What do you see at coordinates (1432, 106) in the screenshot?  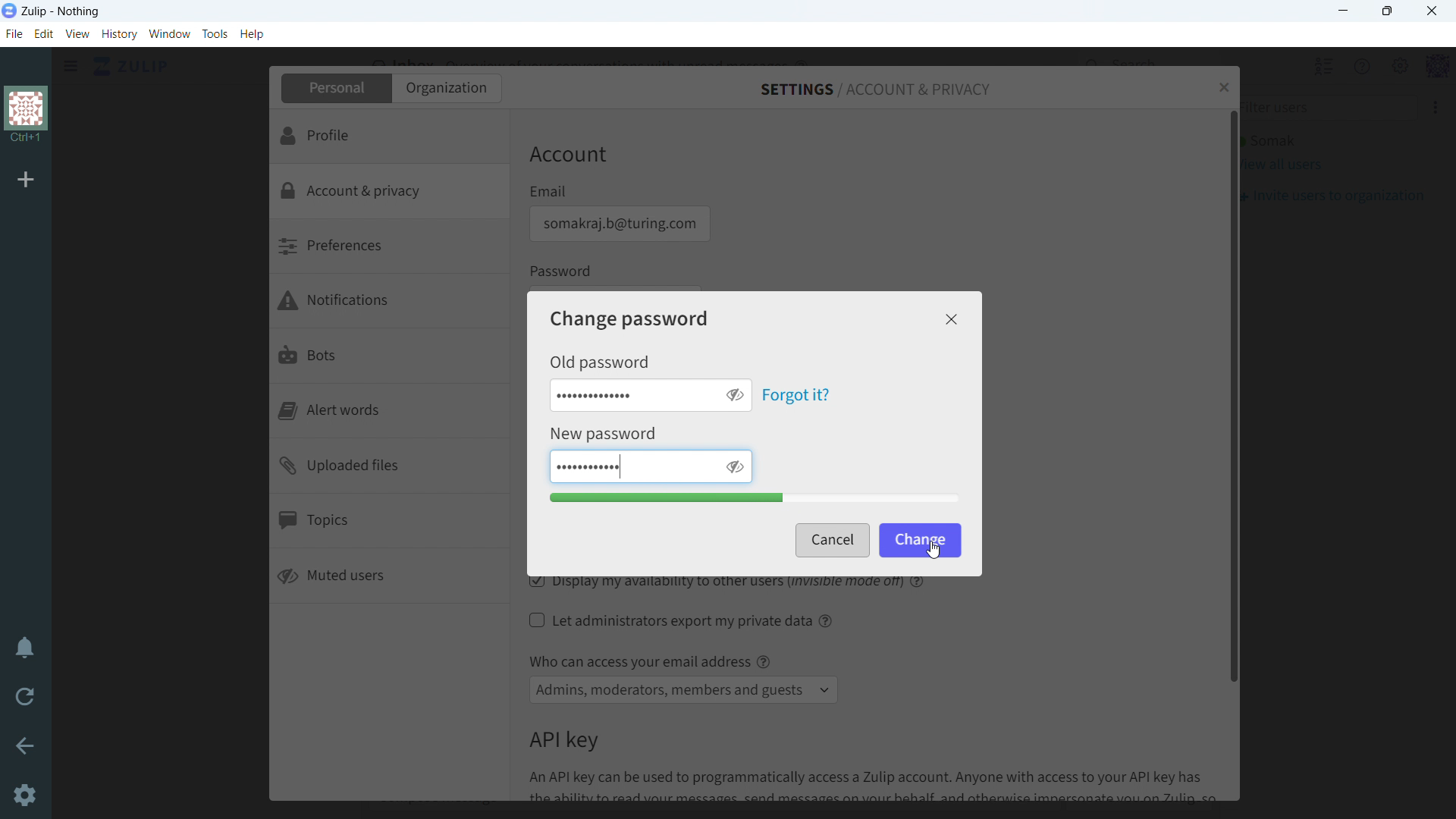 I see `More` at bounding box center [1432, 106].